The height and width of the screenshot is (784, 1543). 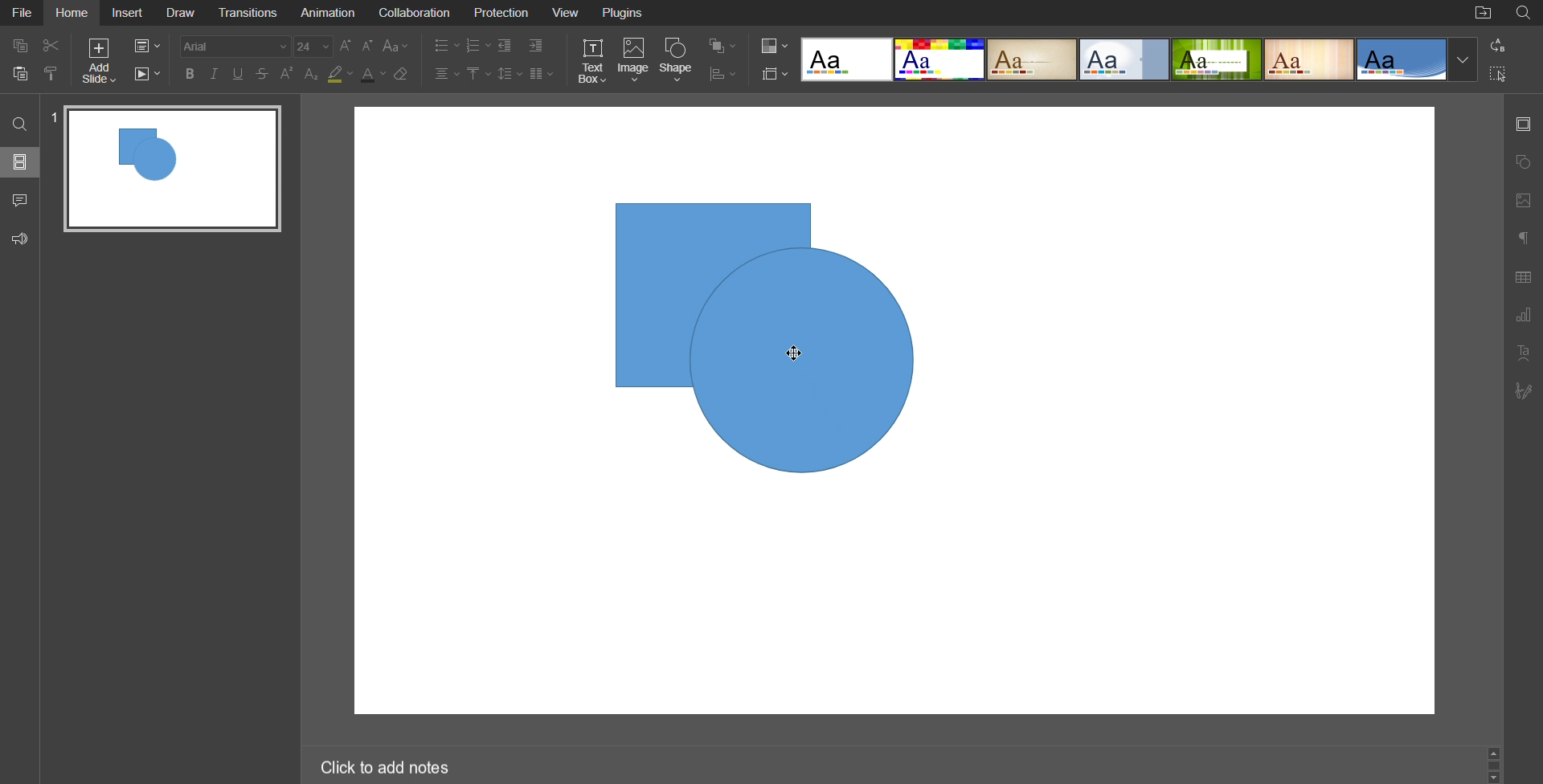 I want to click on Collaboration, so click(x=412, y=13).